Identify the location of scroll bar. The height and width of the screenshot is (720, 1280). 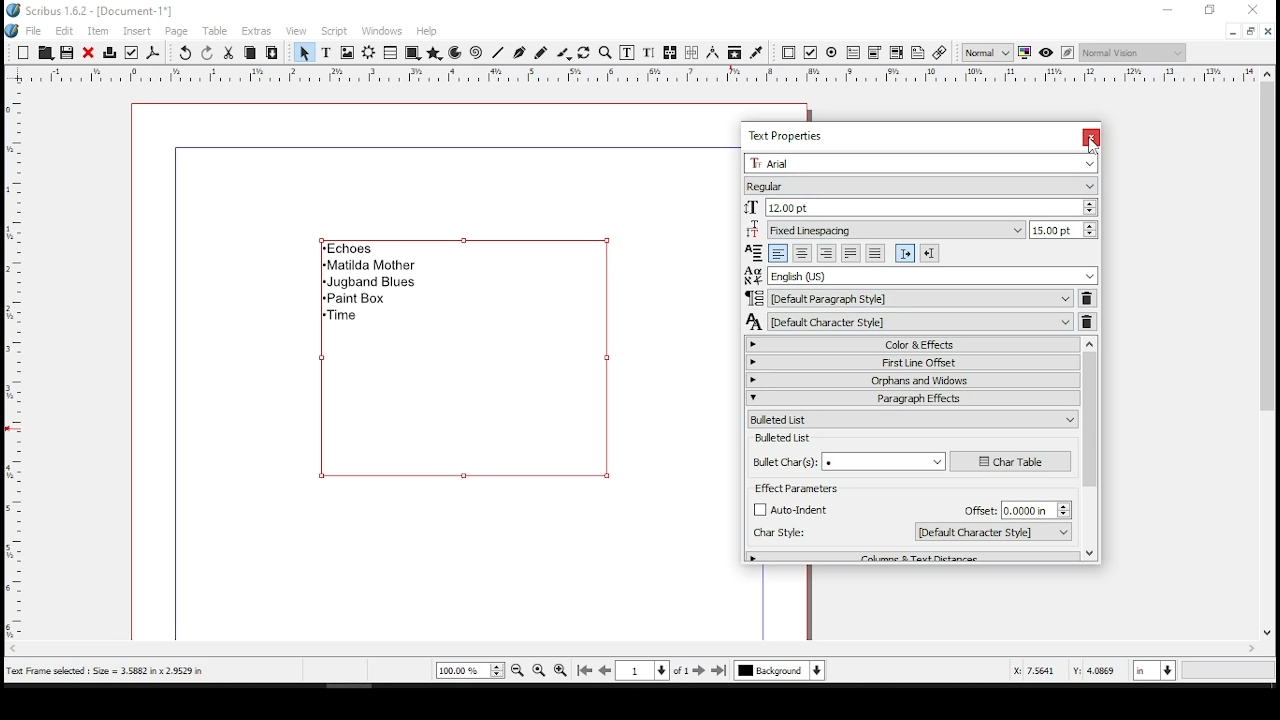
(627, 649).